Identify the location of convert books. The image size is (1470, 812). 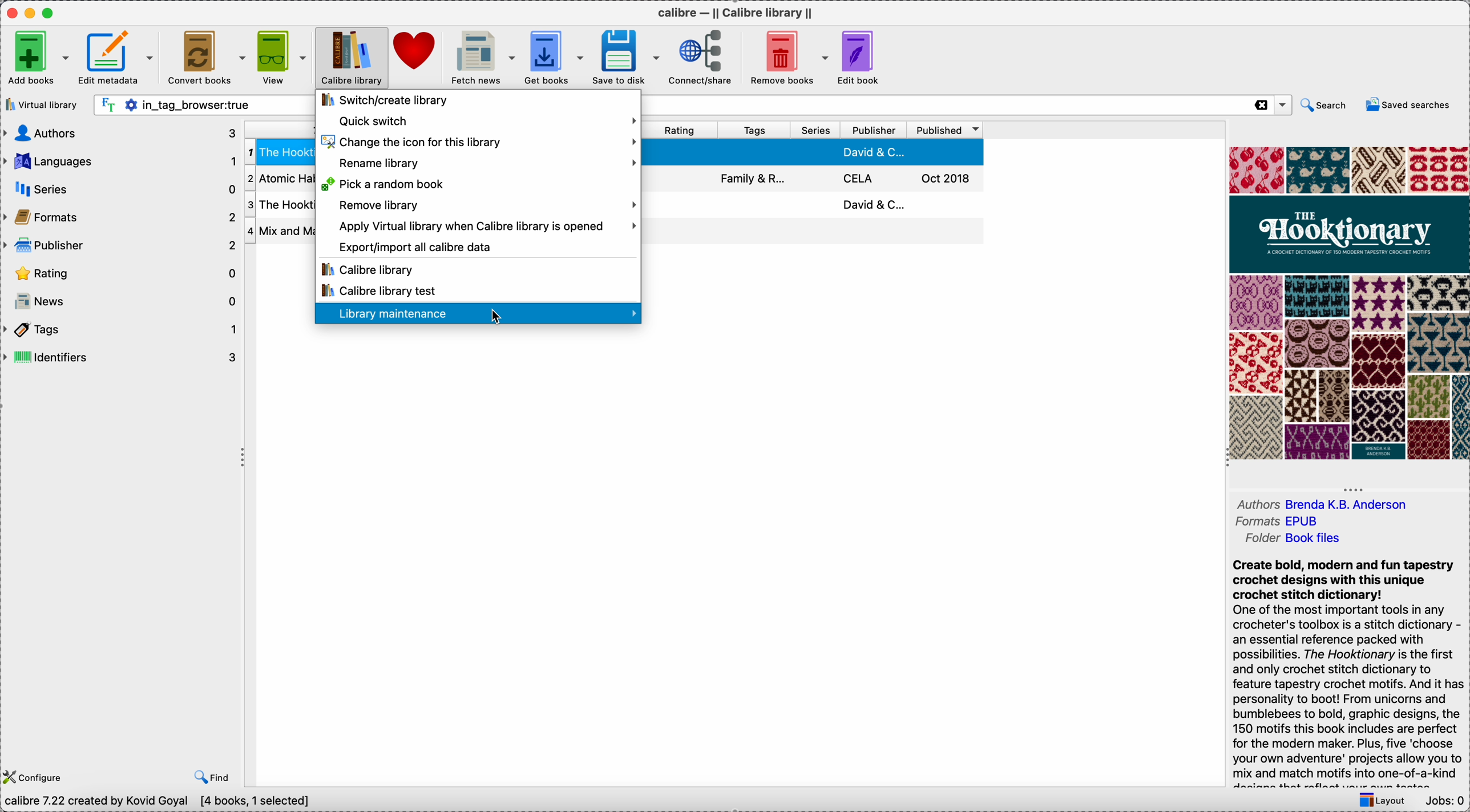
(205, 57).